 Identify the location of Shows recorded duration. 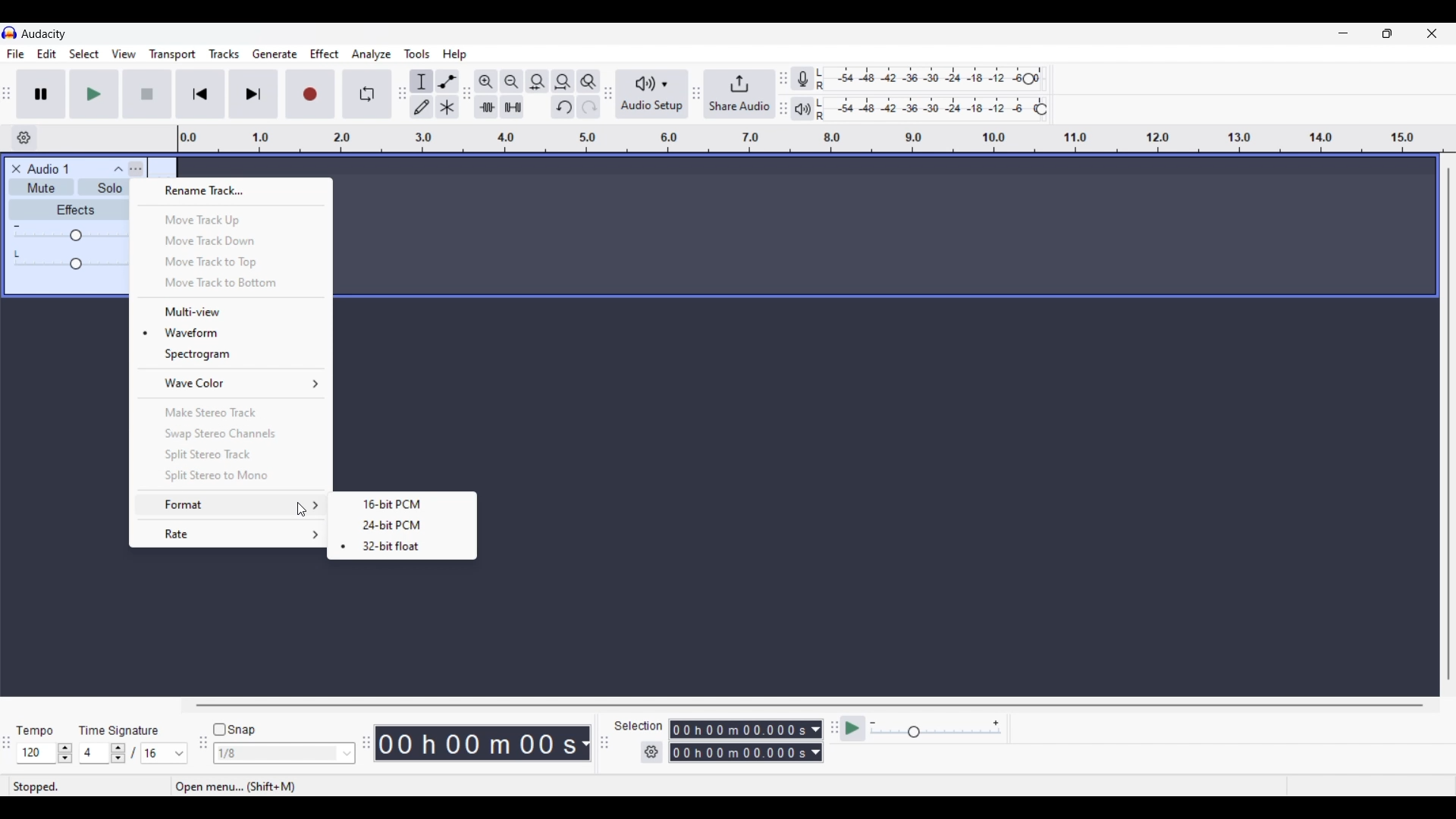
(476, 743).